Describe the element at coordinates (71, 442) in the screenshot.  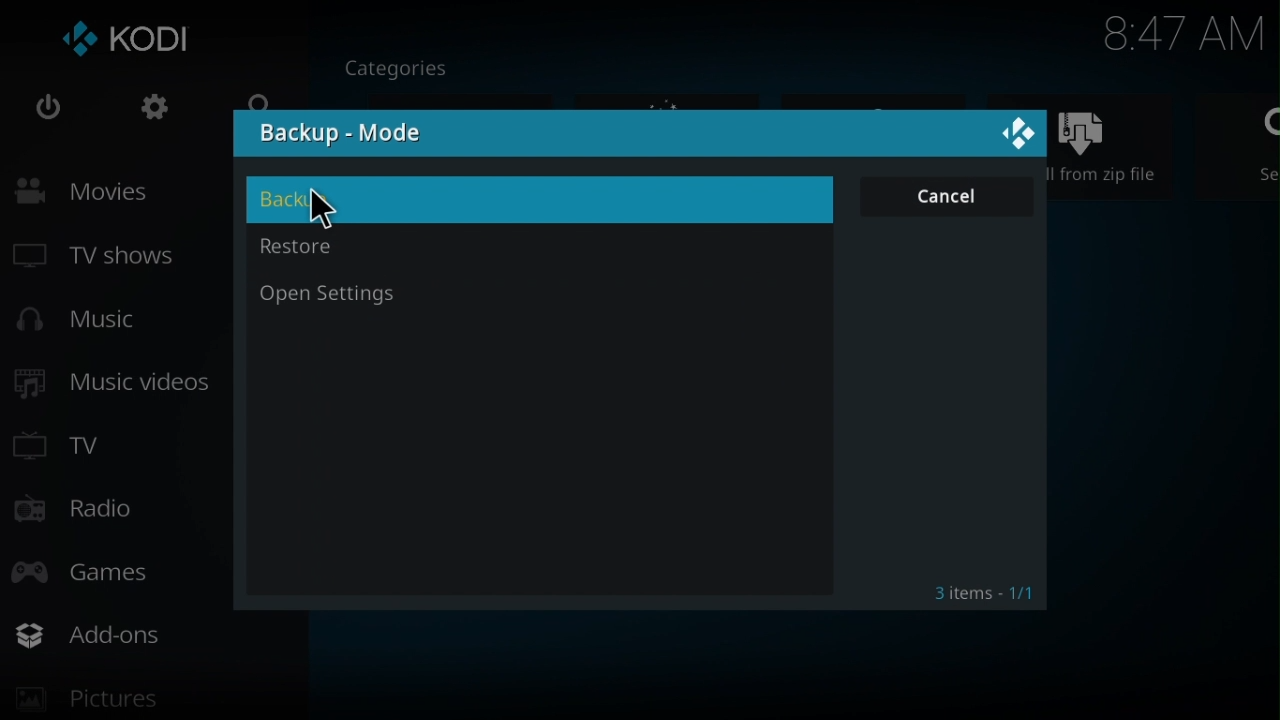
I see `TV` at that location.